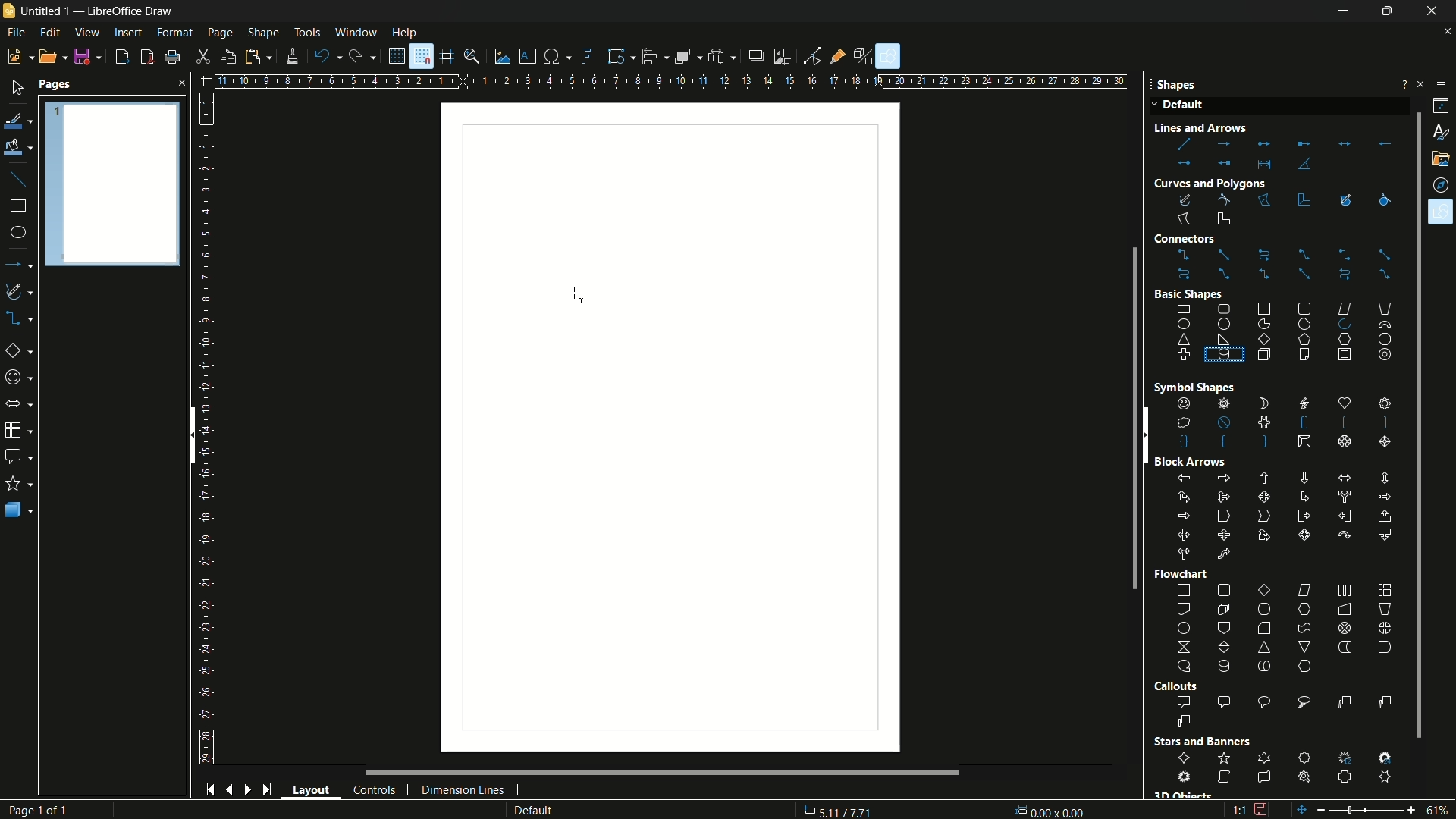  I want to click on controls, so click(375, 791).